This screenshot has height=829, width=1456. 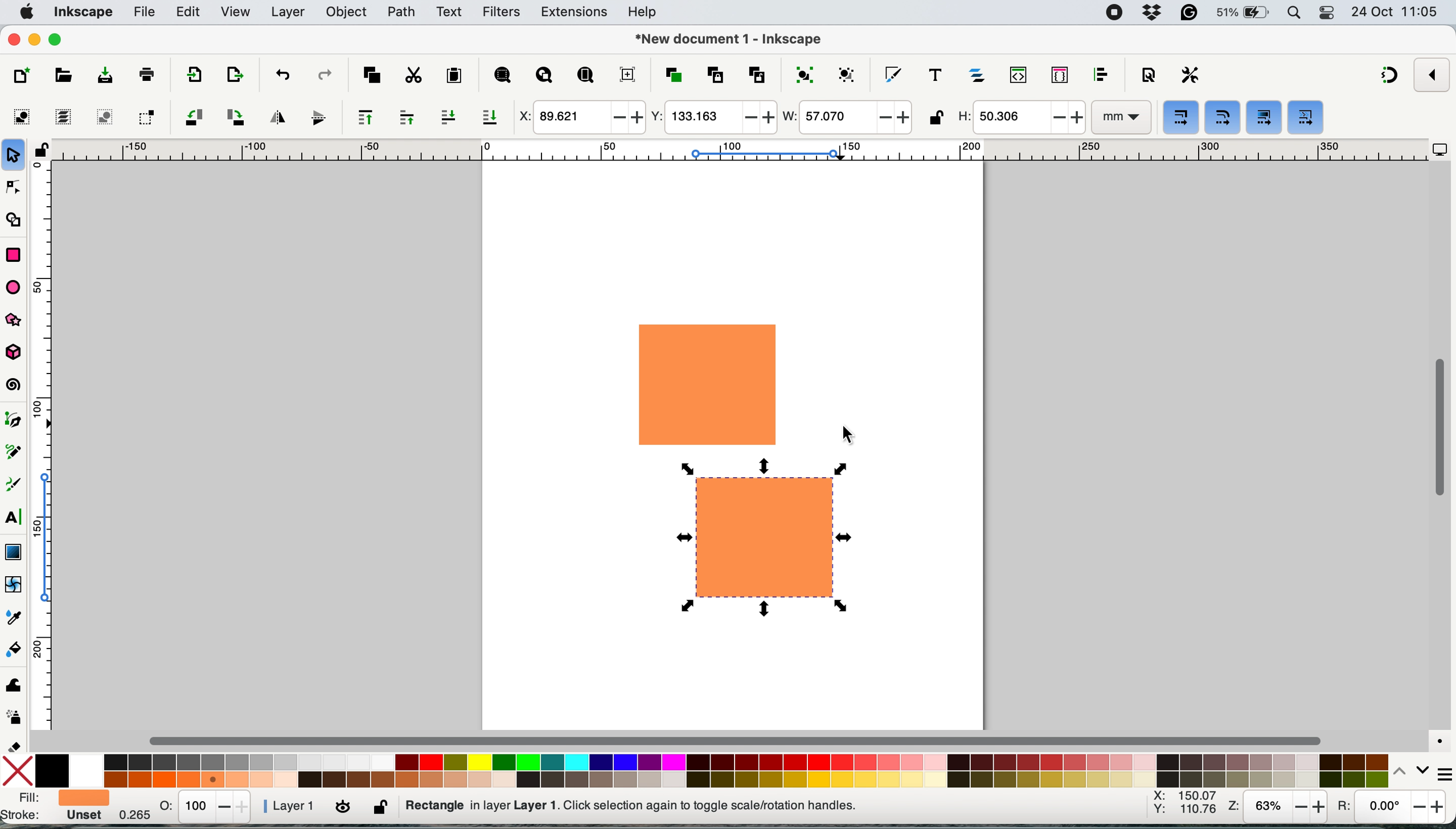 I want to click on open import, so click(x=234, y=75).